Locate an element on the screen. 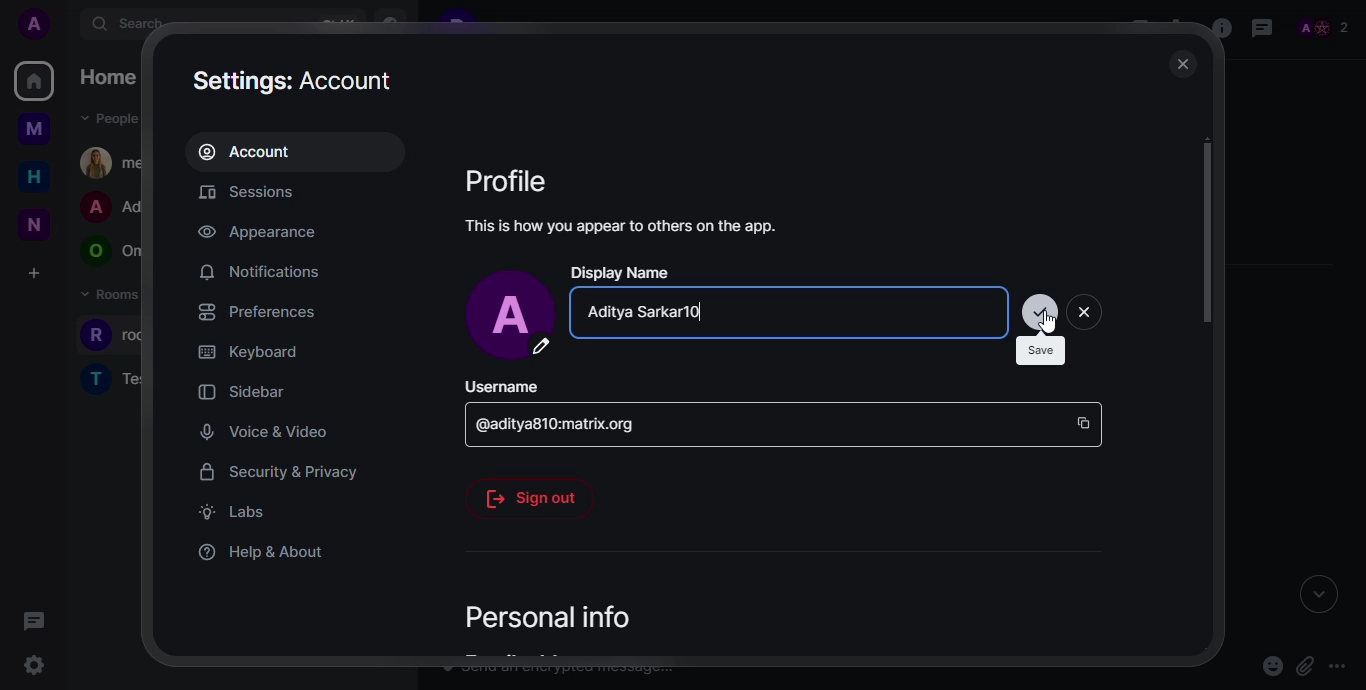  scroll bar is located at coordinates (1207, 246).